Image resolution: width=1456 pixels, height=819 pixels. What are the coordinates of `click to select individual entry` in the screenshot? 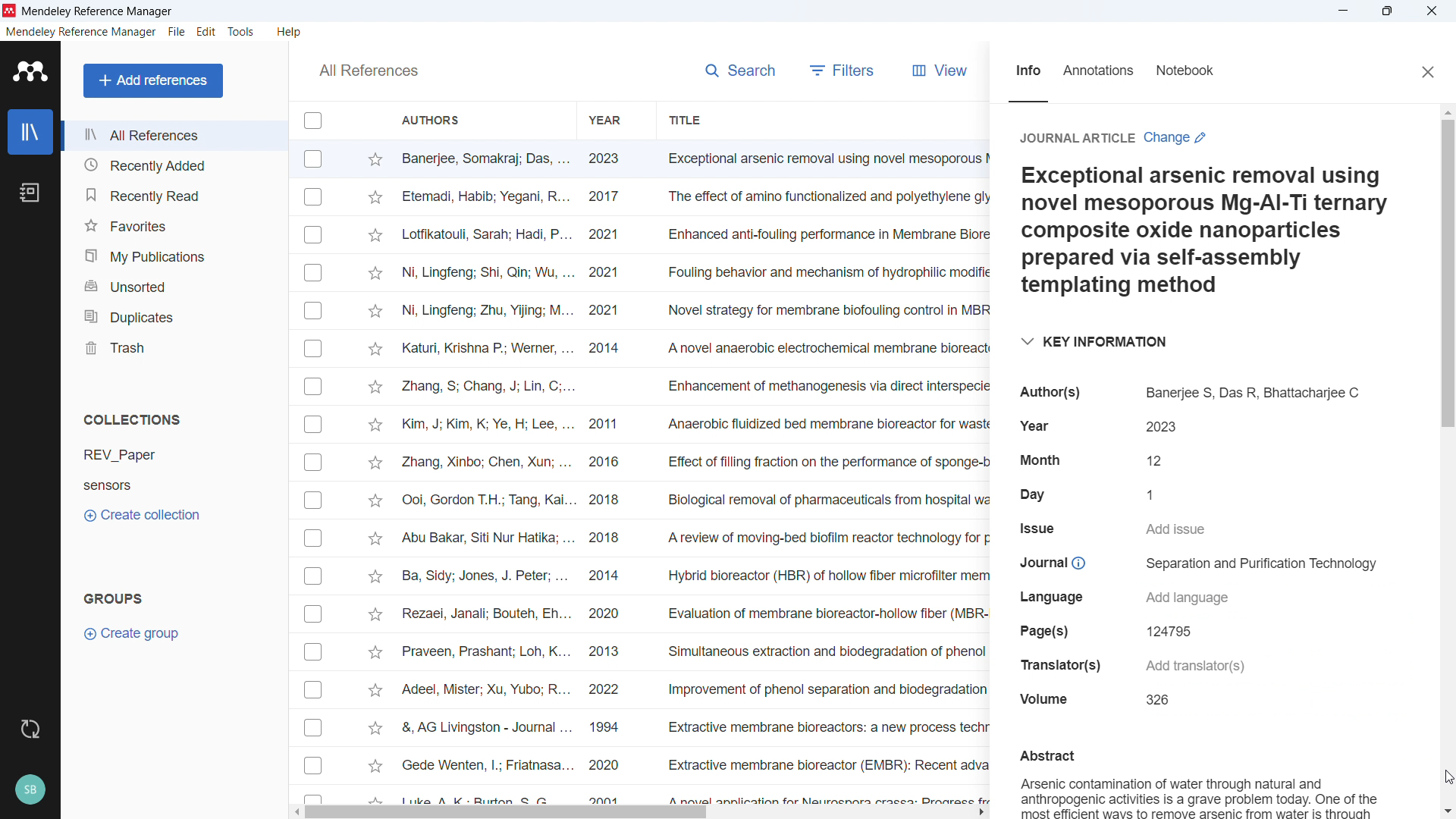 It's located at (315, 350).